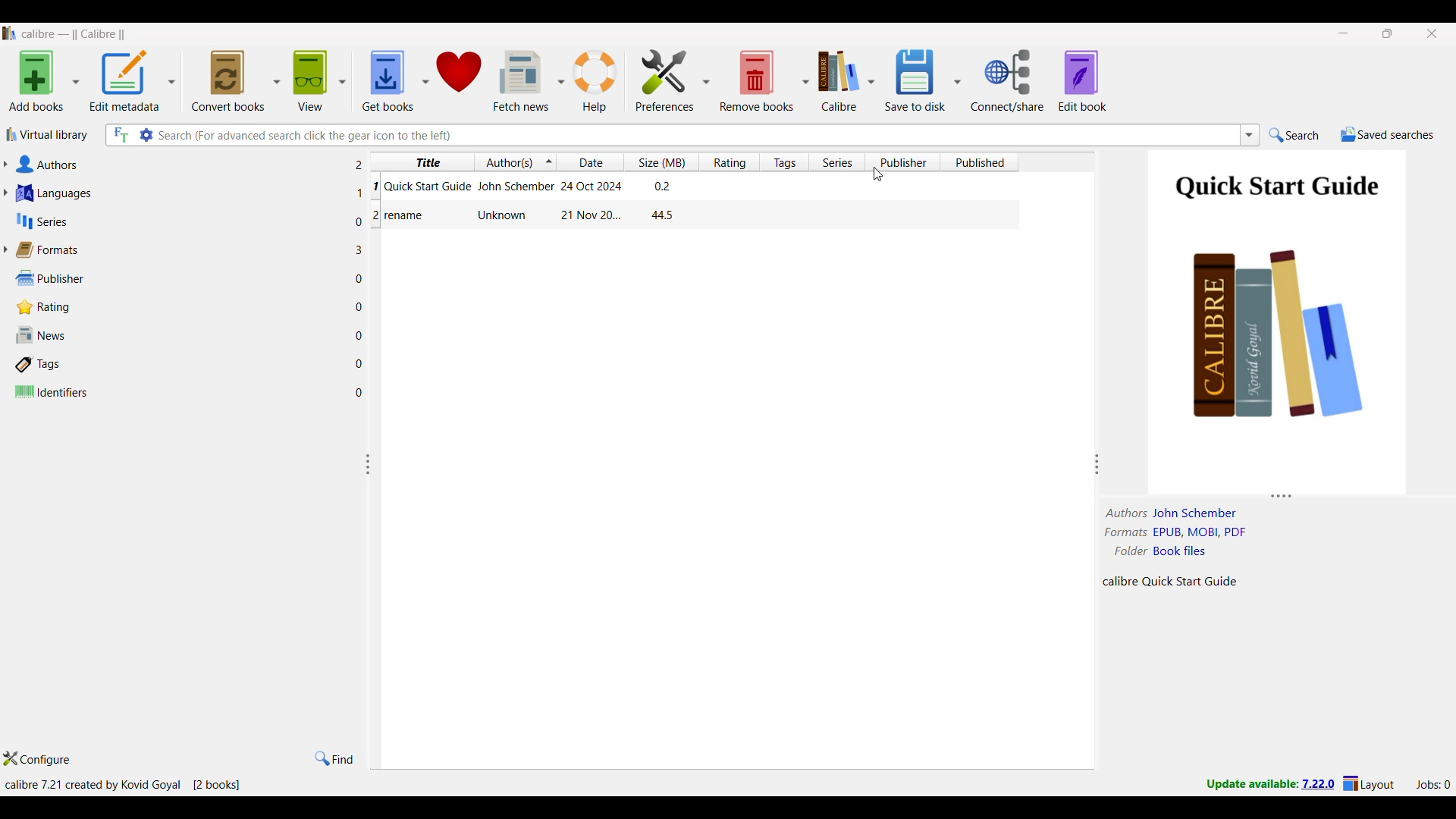 The width and height of the screenshot is (1456, 819). What do you see at coordinates (362, 362) in the screenshot?
I see `0` at bounding box center [362, 362].